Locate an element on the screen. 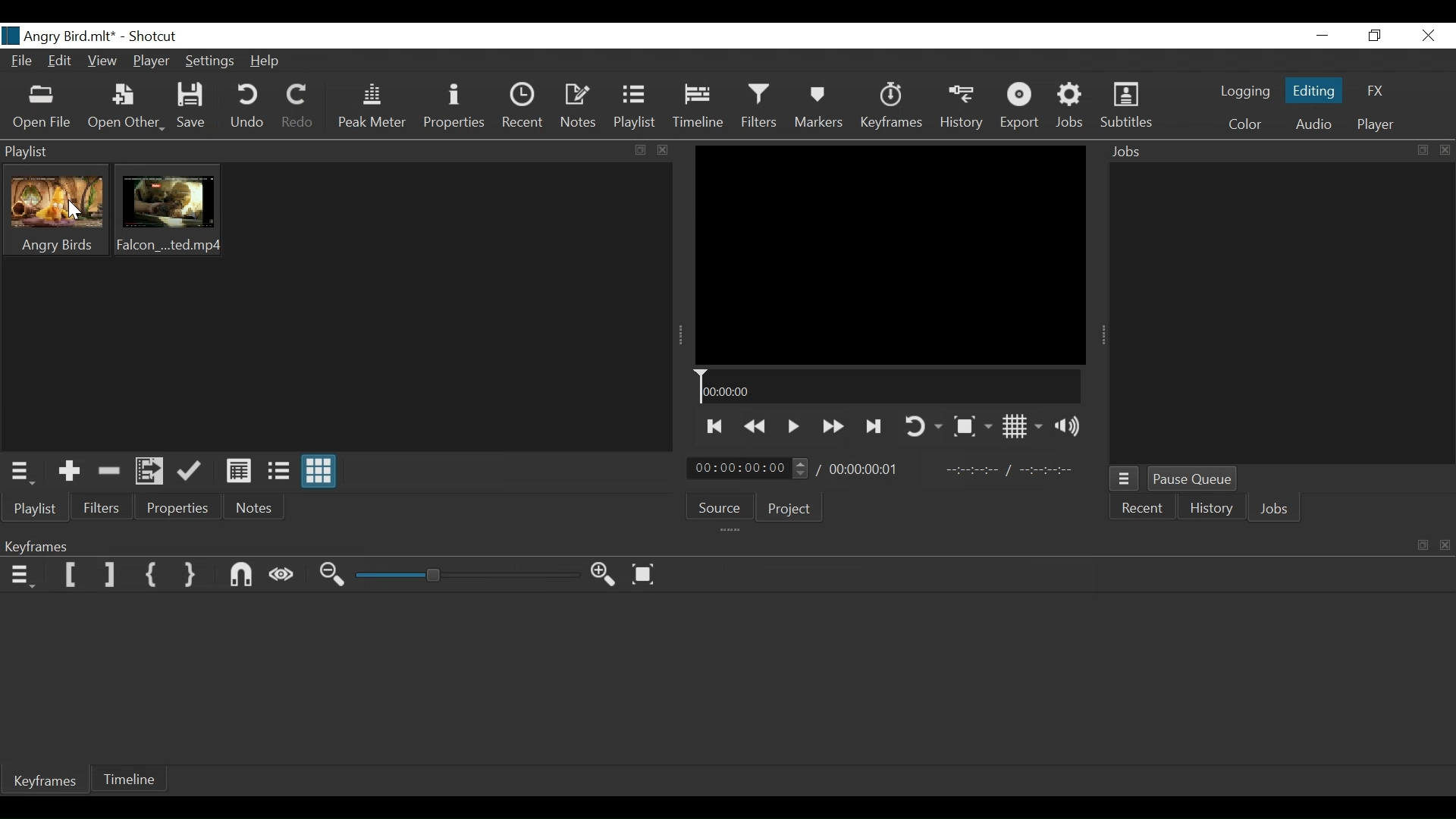 This screenshot has height=819, width=1456. Jobs Panel is located at coordinates (1285, 314).